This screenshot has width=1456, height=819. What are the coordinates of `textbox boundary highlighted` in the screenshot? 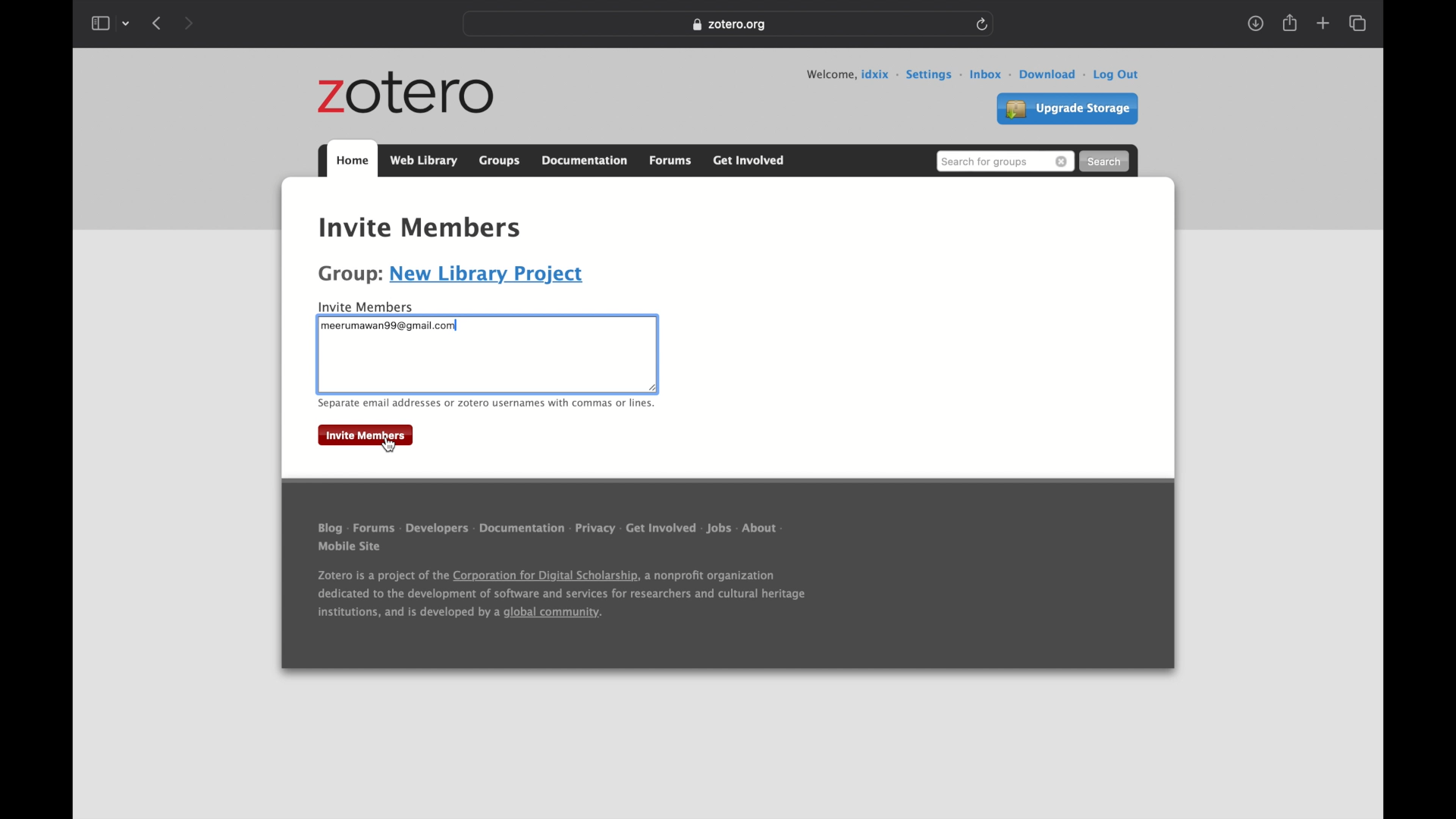 It's located at (318, 359).